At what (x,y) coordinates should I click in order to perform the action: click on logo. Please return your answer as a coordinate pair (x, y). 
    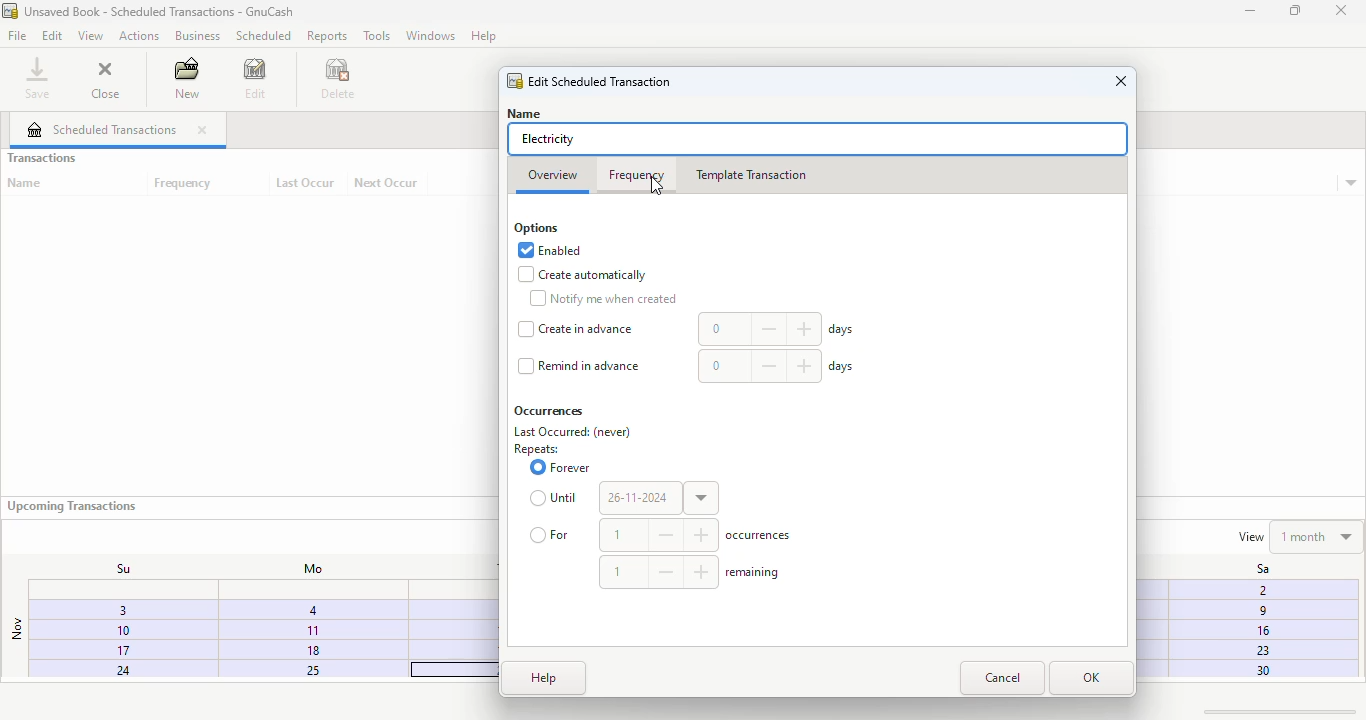
    Looking at the image, I should click on (10, 10).